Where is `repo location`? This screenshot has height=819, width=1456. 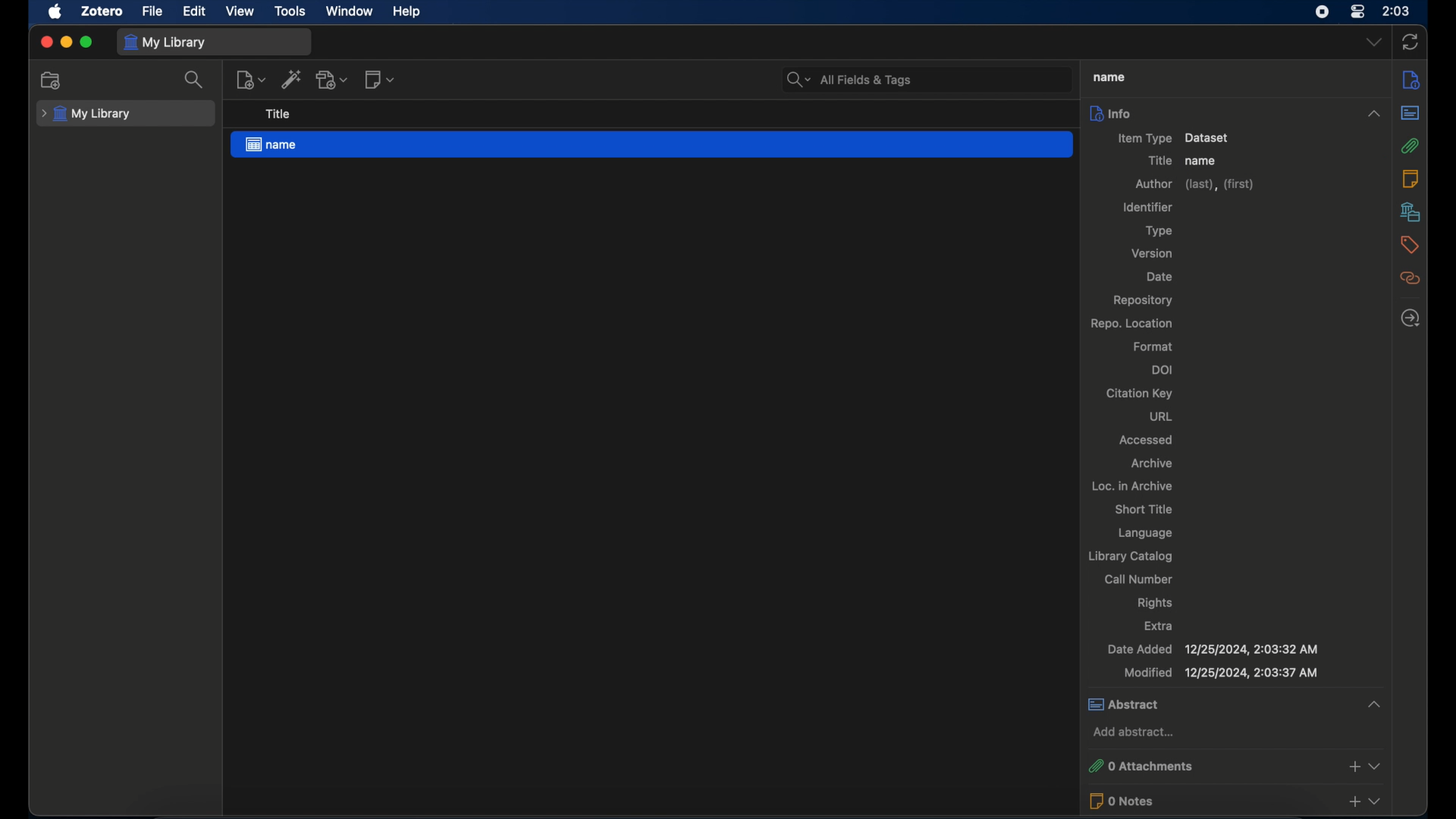
repo location is located at coordinates (1133, 323).